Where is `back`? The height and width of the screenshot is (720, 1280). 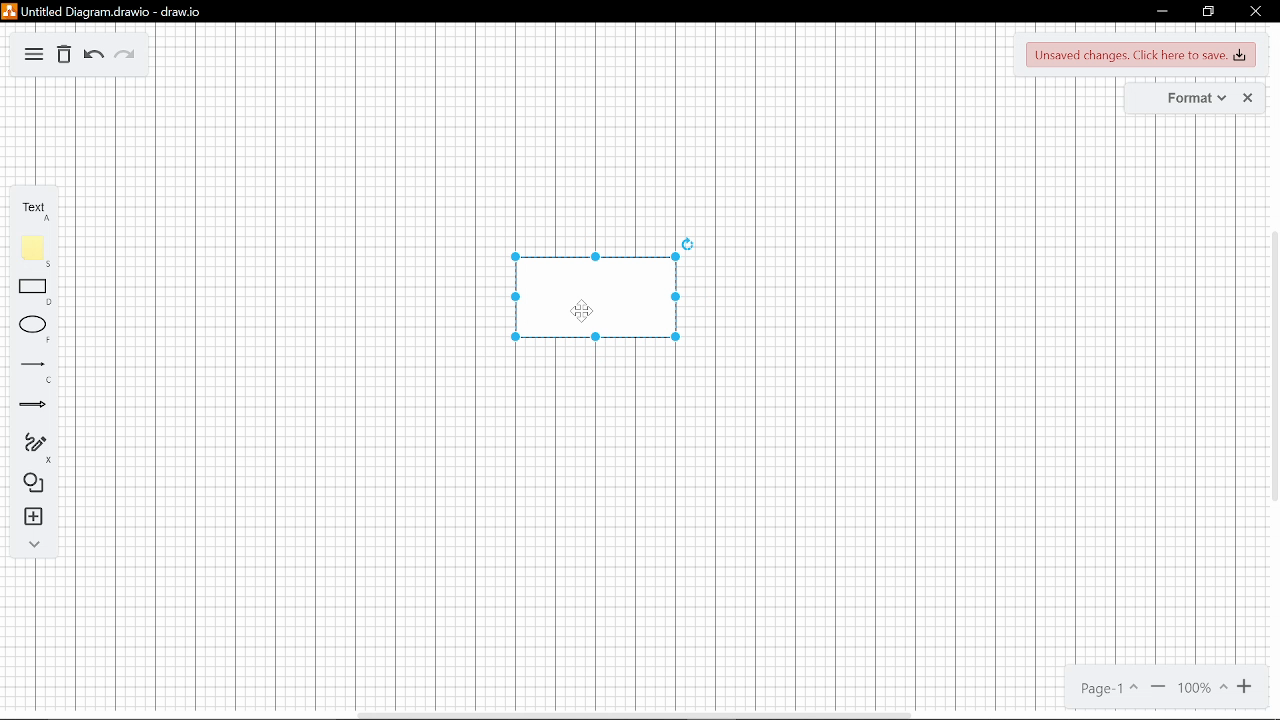
back is located at coordinates (93, 54).